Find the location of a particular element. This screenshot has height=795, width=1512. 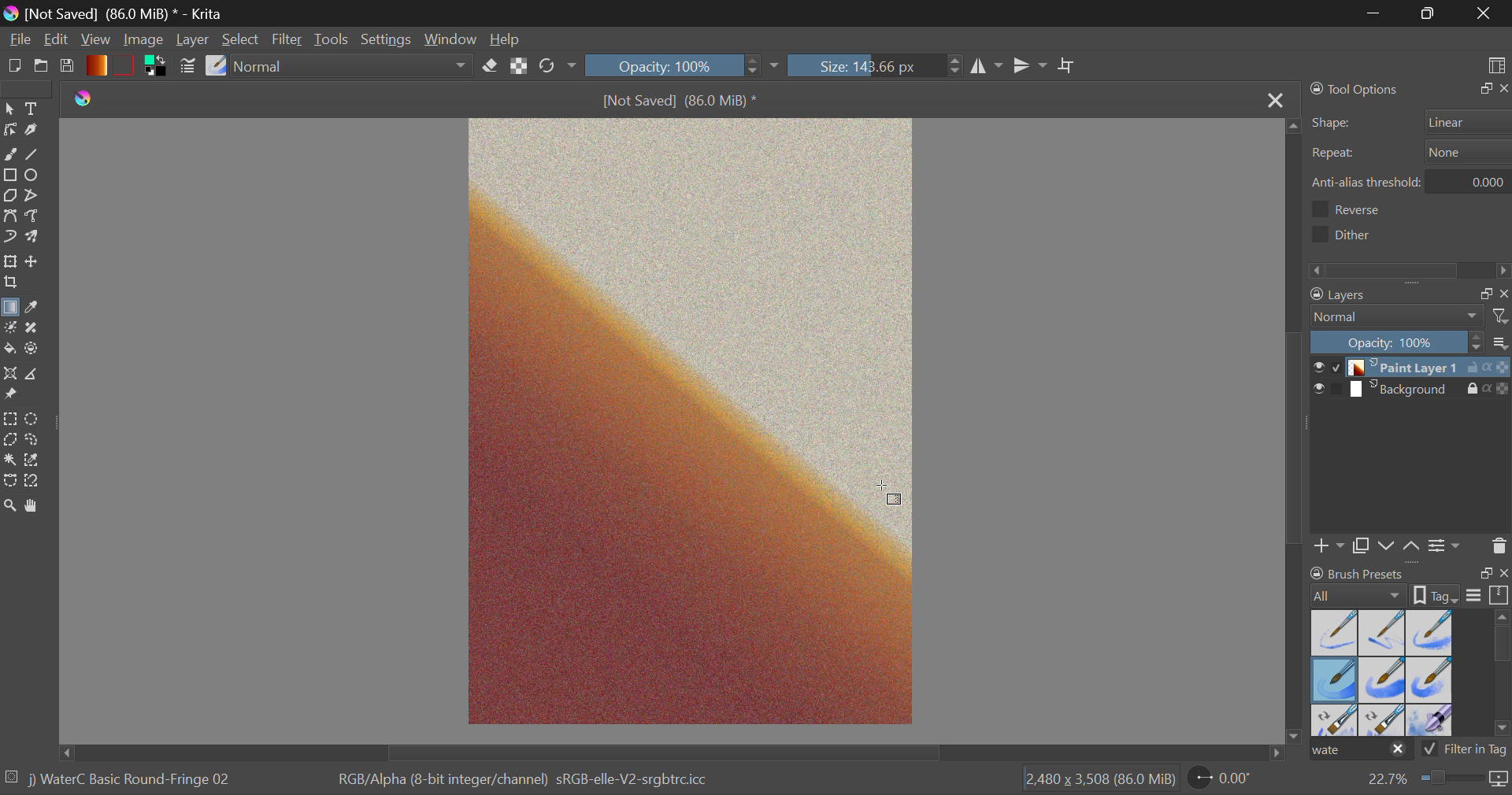

Calligraphic Tool is located at coordinates (35, 130).